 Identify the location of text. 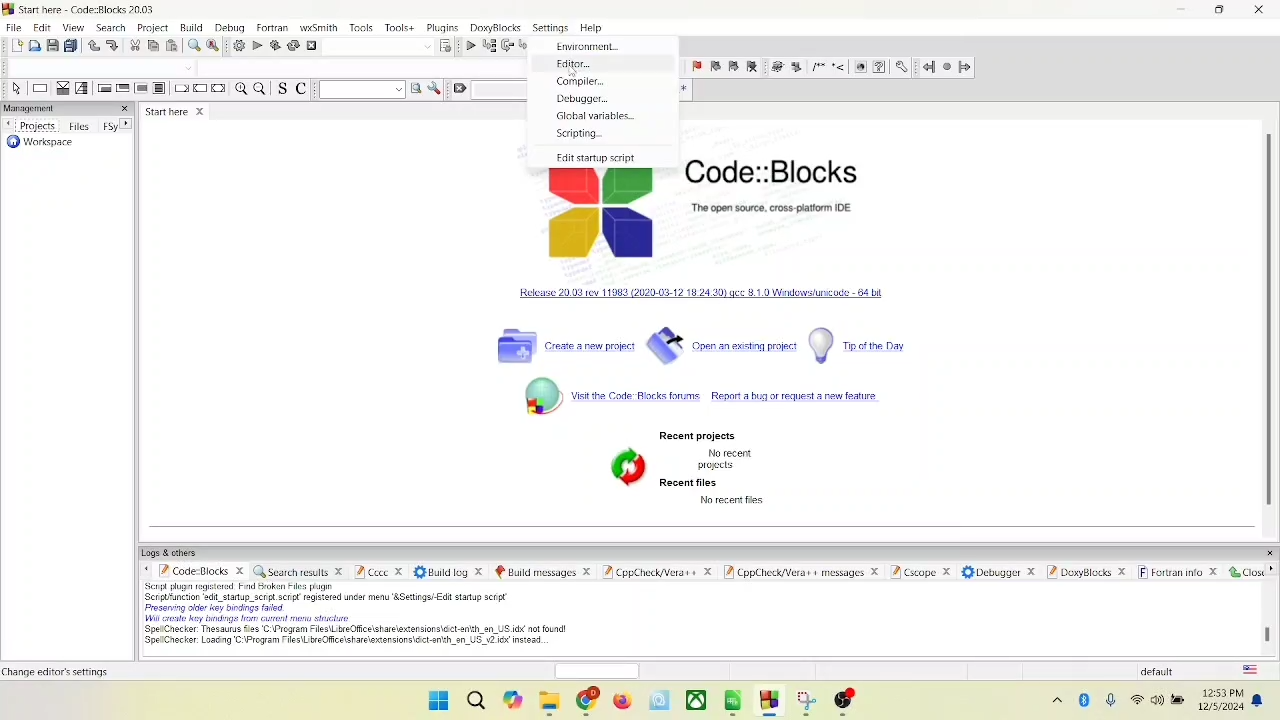
(360, 621).